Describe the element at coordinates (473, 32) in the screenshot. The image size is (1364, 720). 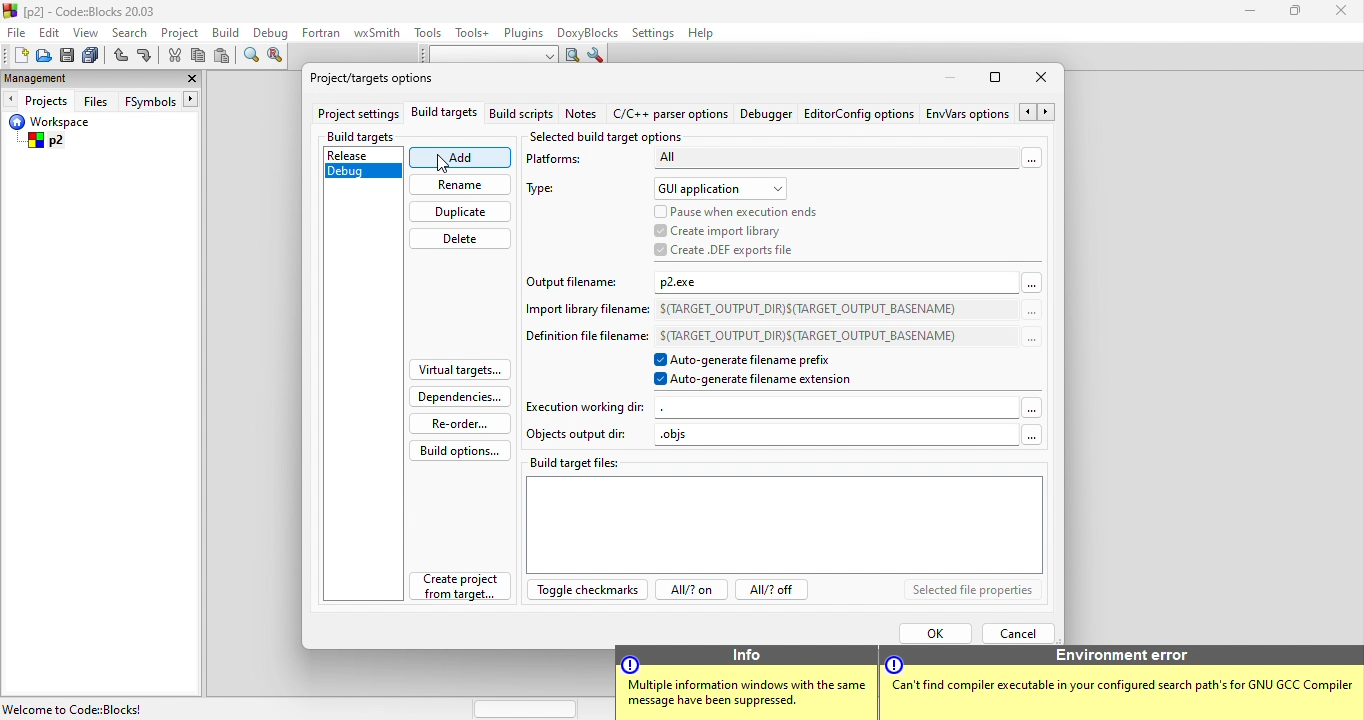
I see `tools++` at that location.